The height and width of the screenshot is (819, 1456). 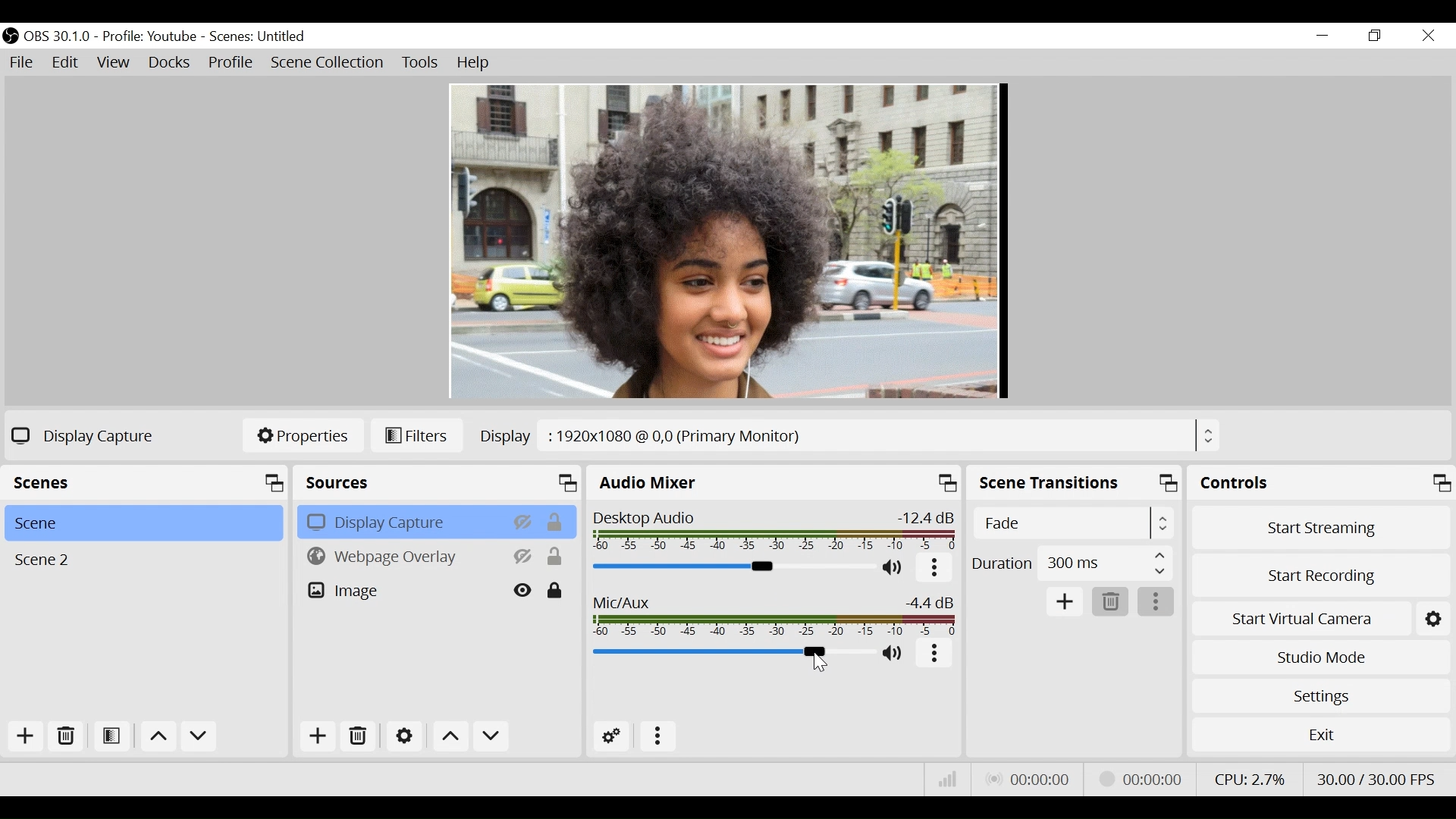 What do you see at coordinates (492, 736) in the screenshot?
I see `Move down` at bounding box center [492, 736].